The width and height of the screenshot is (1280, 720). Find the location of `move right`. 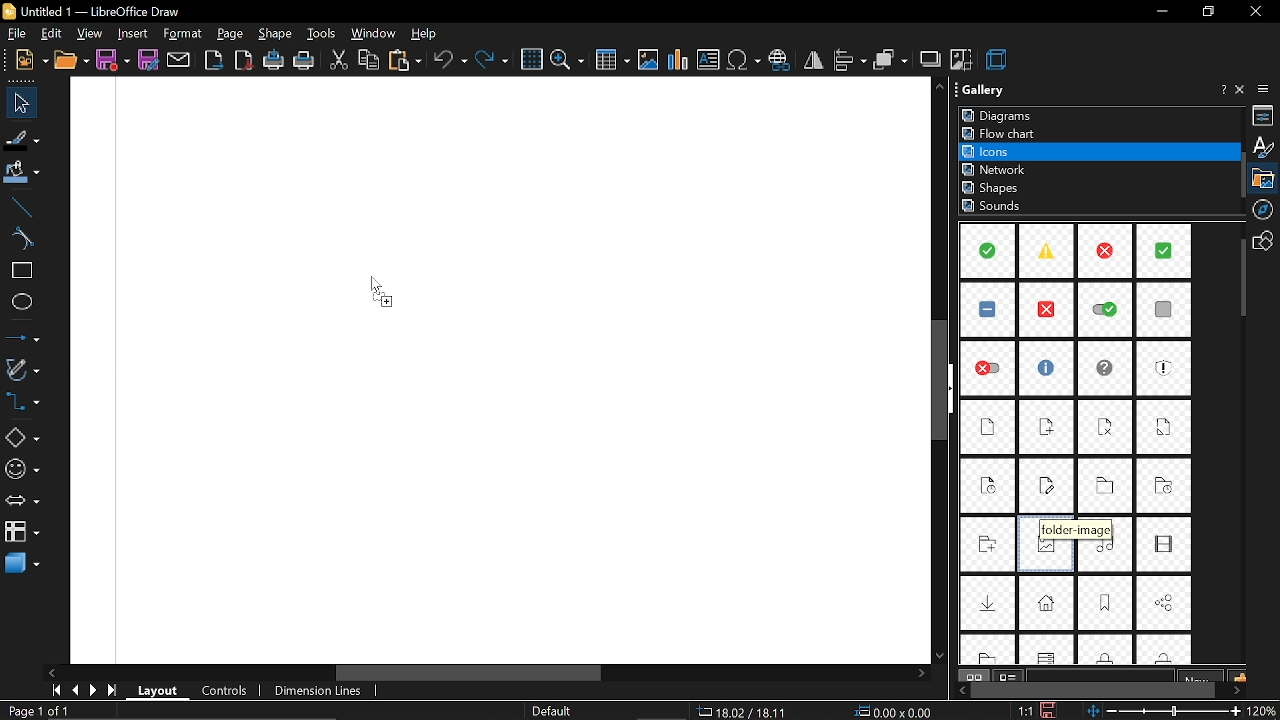

move right is located at coordinates (1237, 689).